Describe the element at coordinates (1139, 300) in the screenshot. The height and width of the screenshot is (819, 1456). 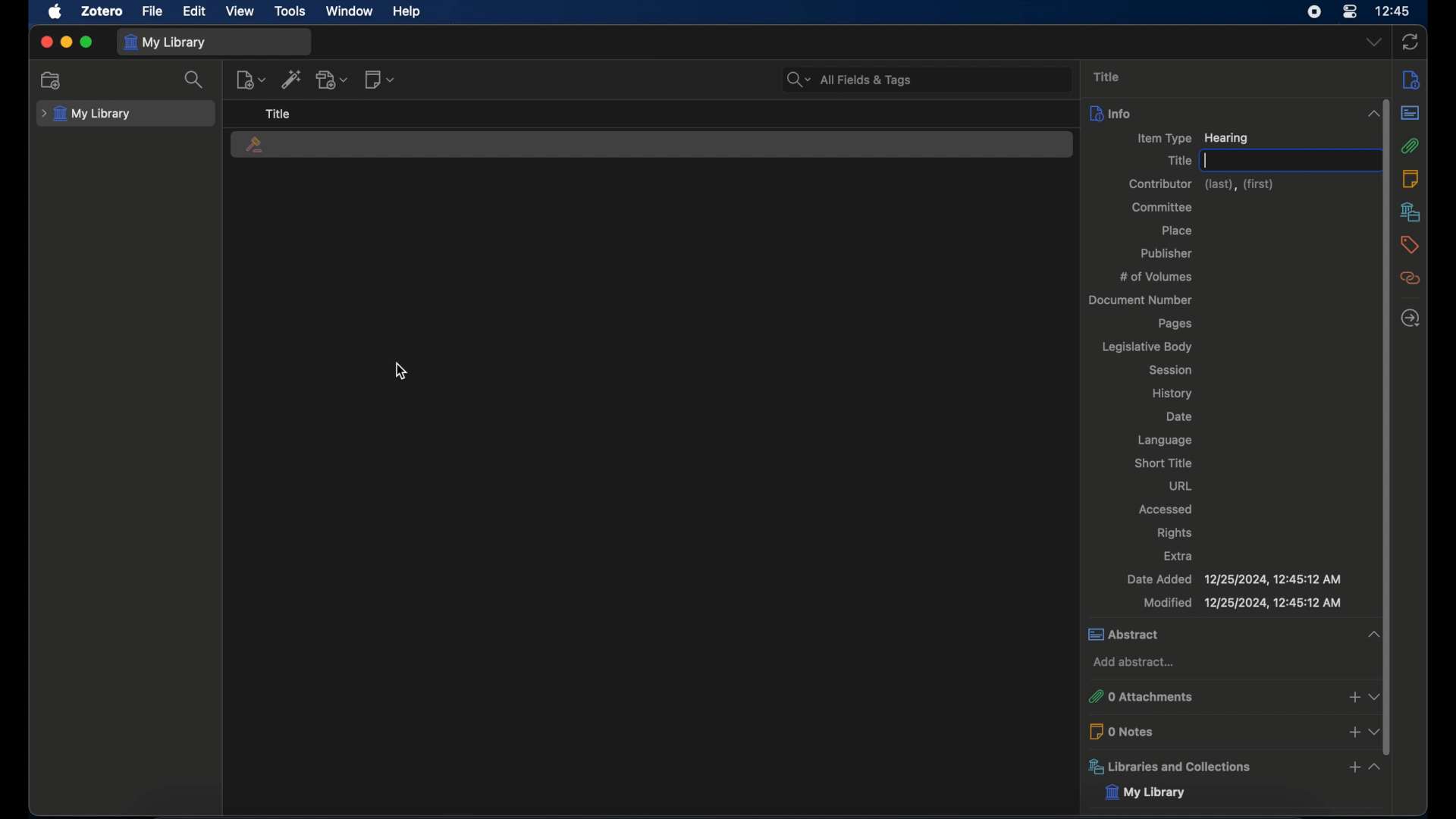
I see `document number` at that location.